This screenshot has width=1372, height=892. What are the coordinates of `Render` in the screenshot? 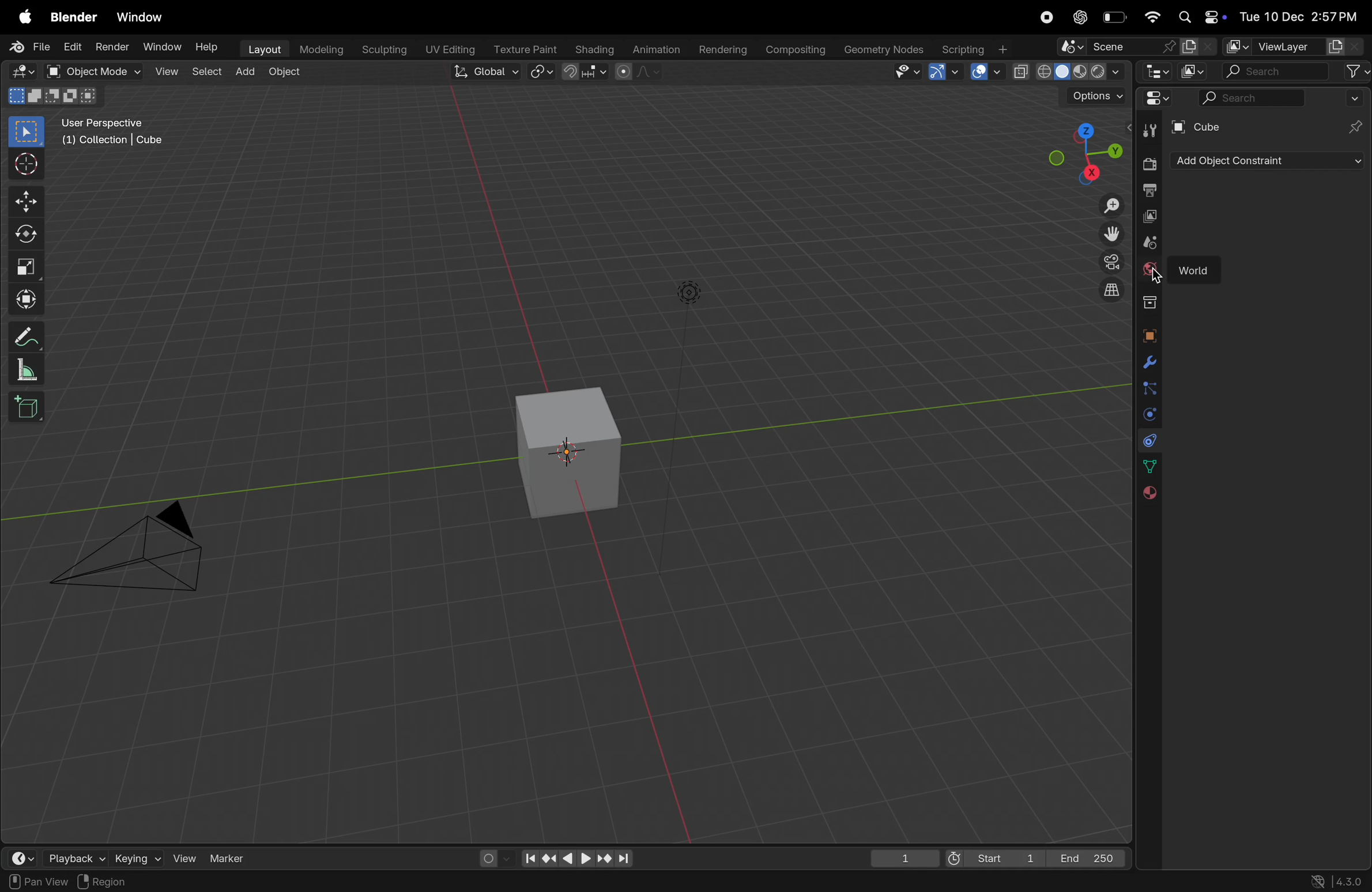 It's located at (111, 48).